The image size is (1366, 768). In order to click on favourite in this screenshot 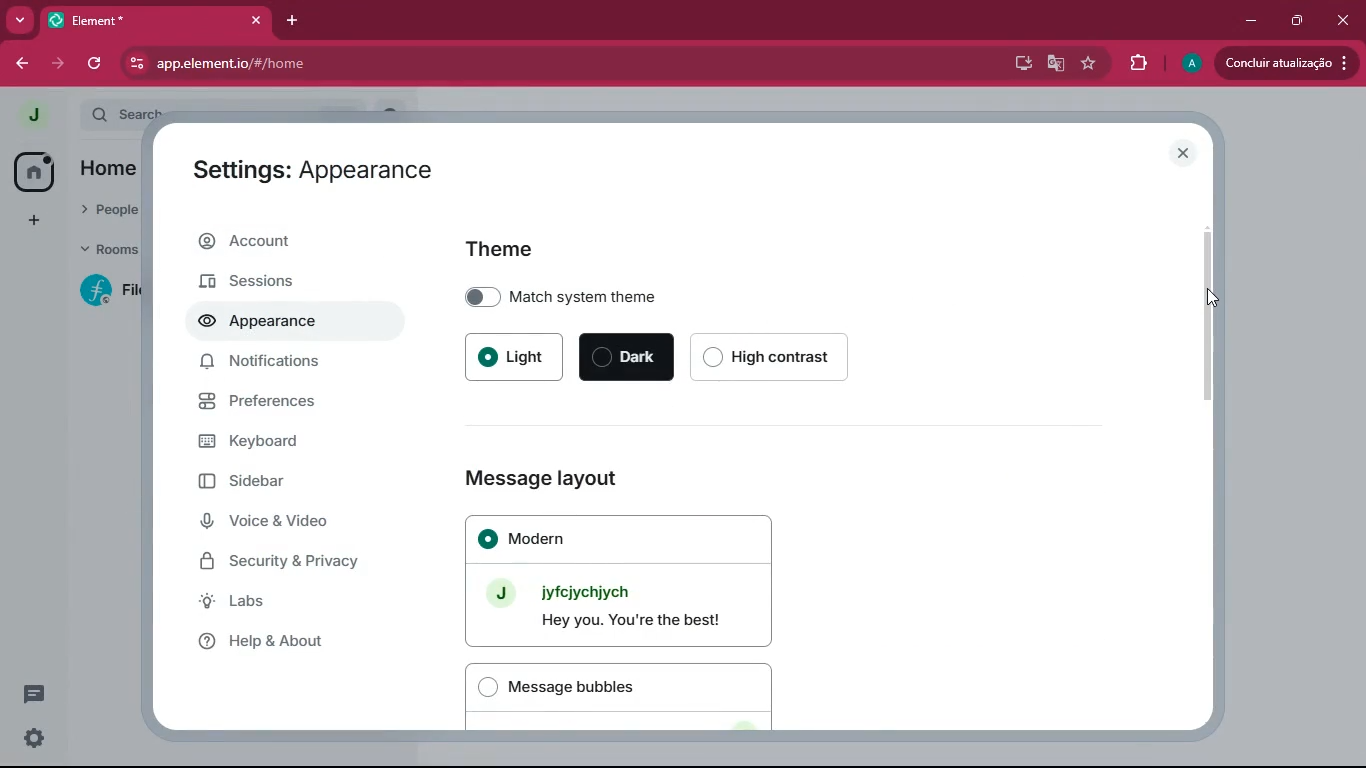, I will do `click(1087, 65)`.